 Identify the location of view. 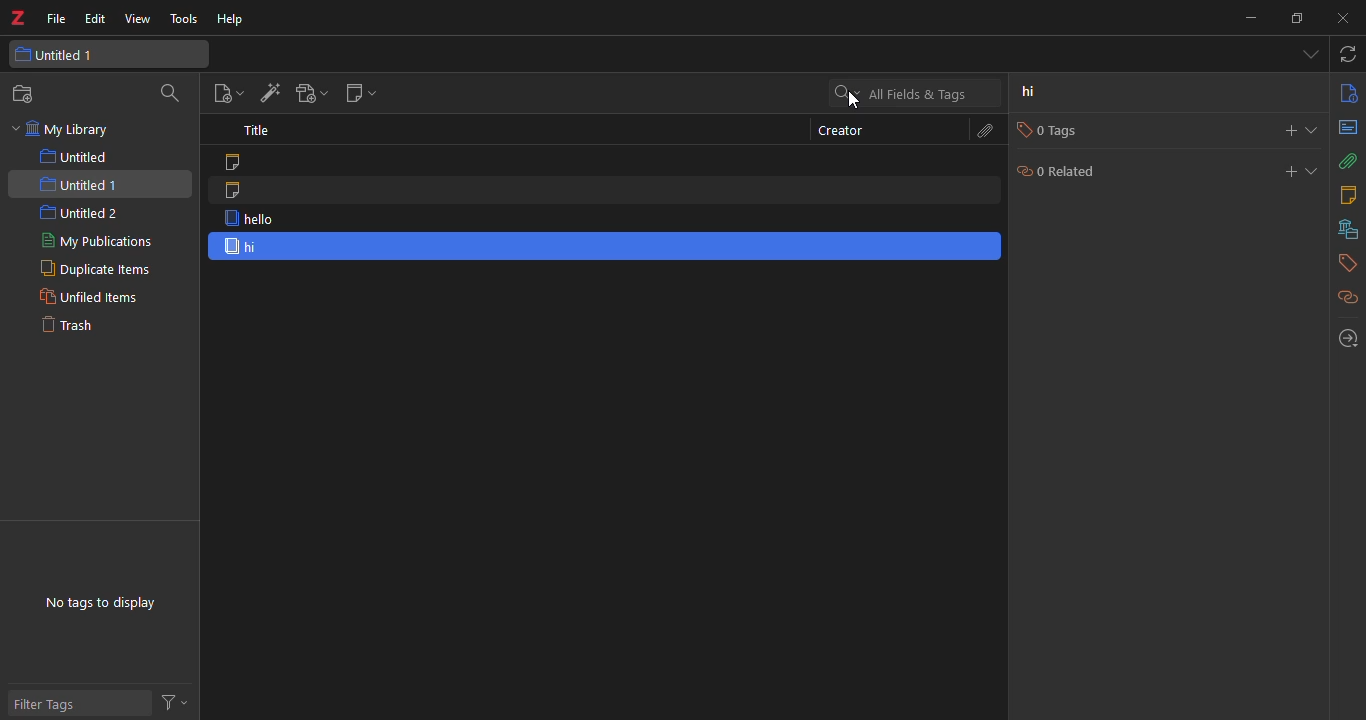
(137, 21).